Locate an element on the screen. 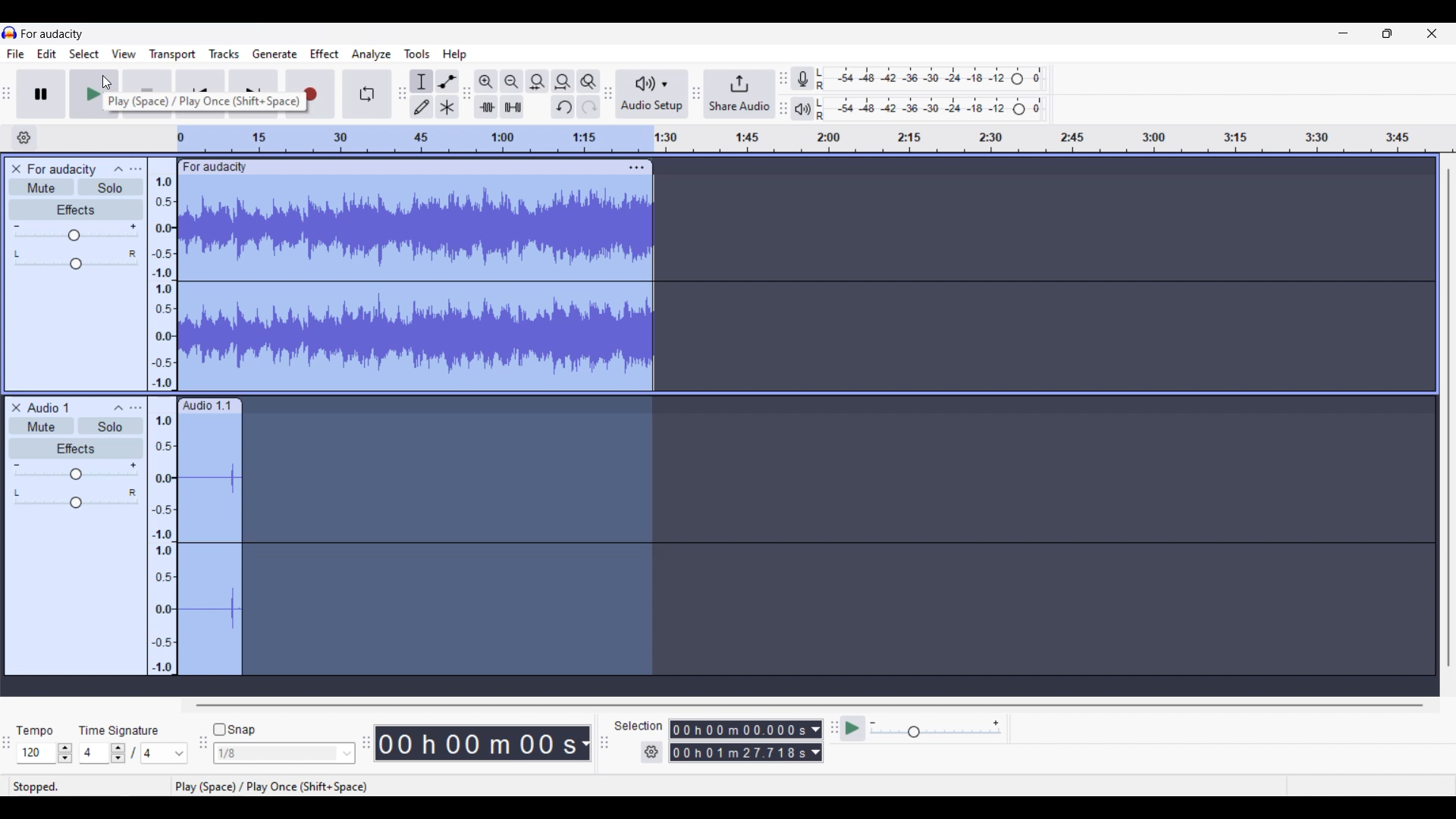 This screenshot has height=819, width=1456. collapse is located at coordinates (118, 408).